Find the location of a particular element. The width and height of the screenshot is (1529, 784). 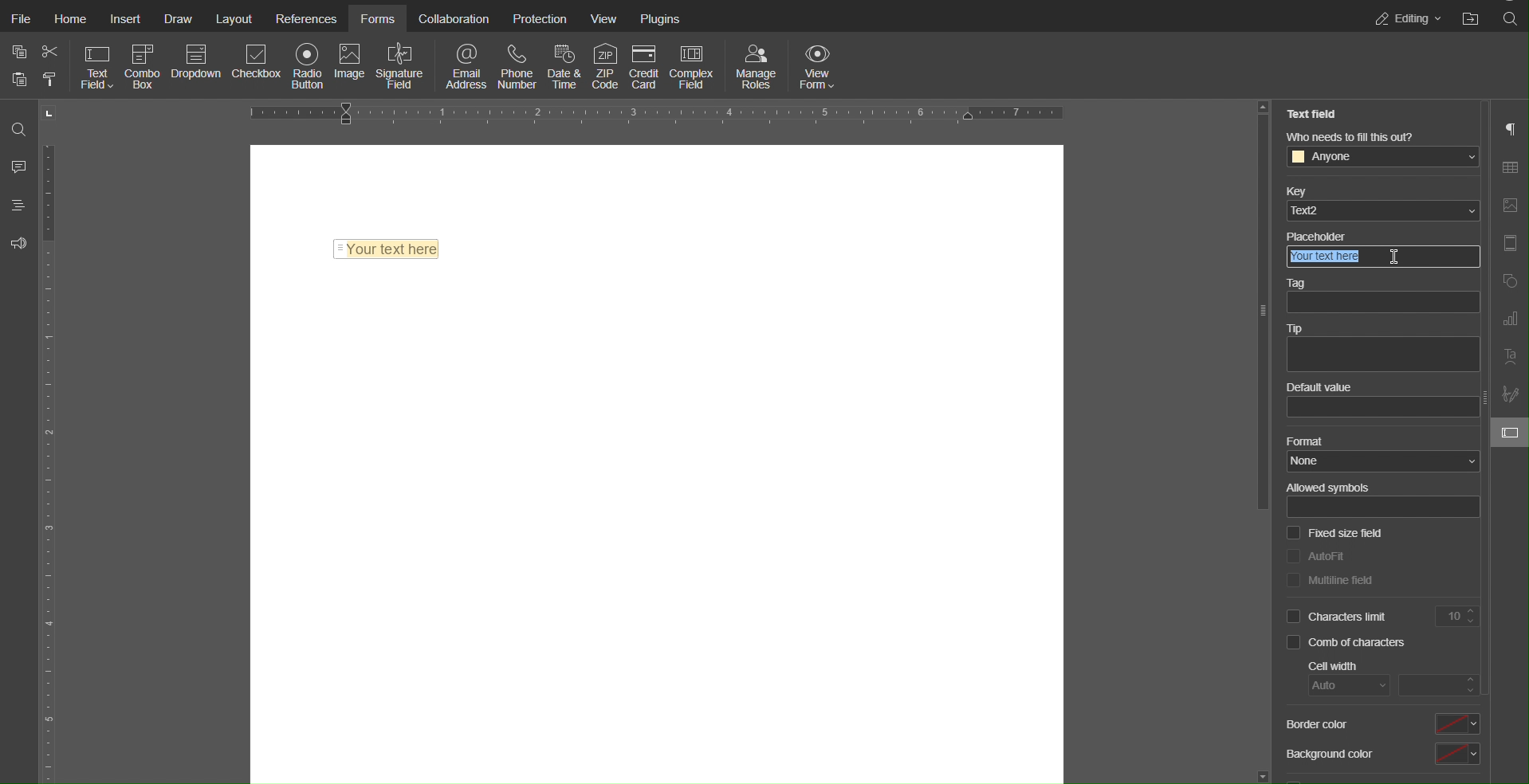

Background color is located at coordinates (1383, 753).